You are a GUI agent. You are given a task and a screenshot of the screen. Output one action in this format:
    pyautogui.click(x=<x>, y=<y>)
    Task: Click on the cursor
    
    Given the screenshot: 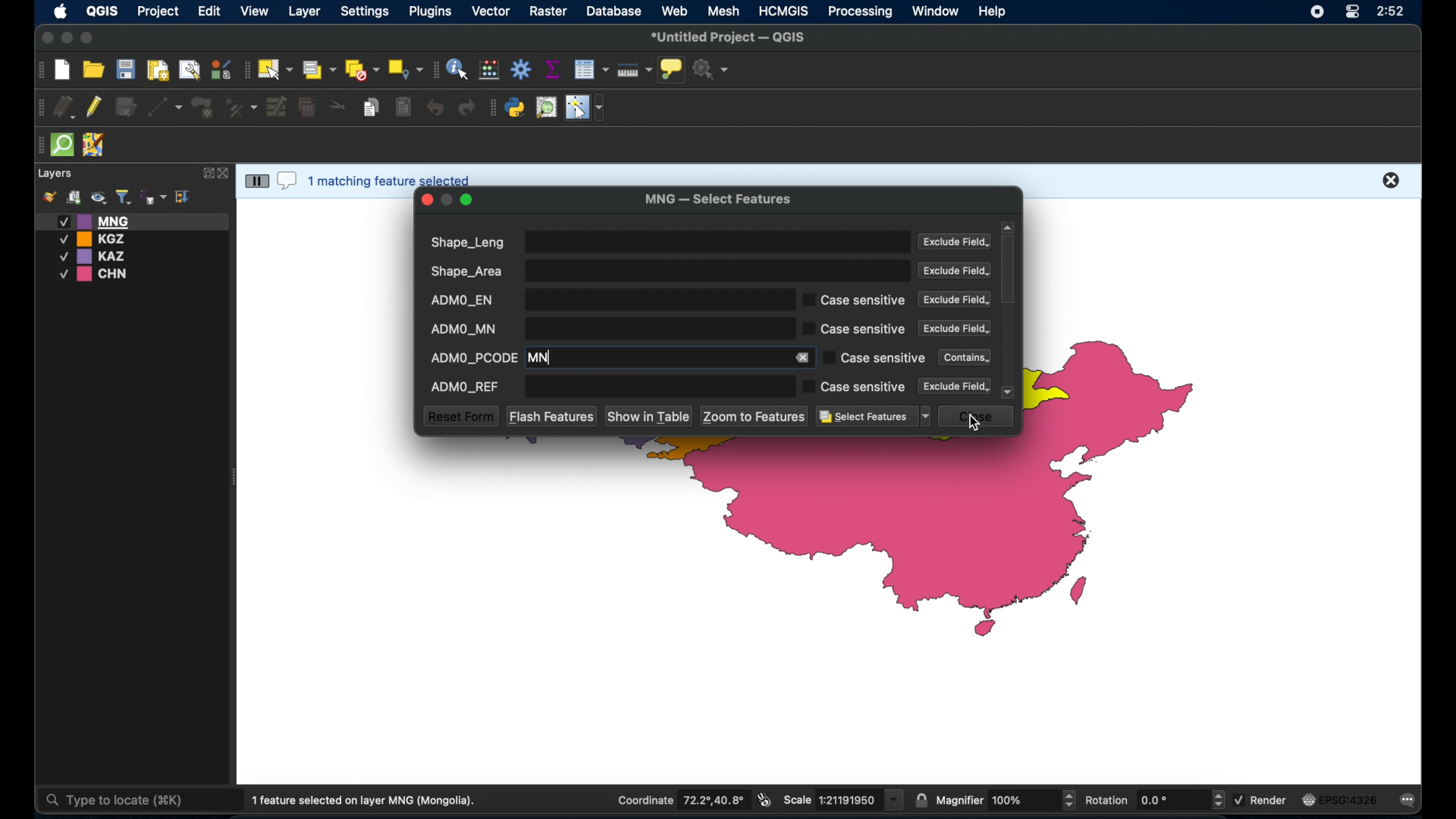 What is the action you would take?
    pyautogui.click(x=974, y=425)
    